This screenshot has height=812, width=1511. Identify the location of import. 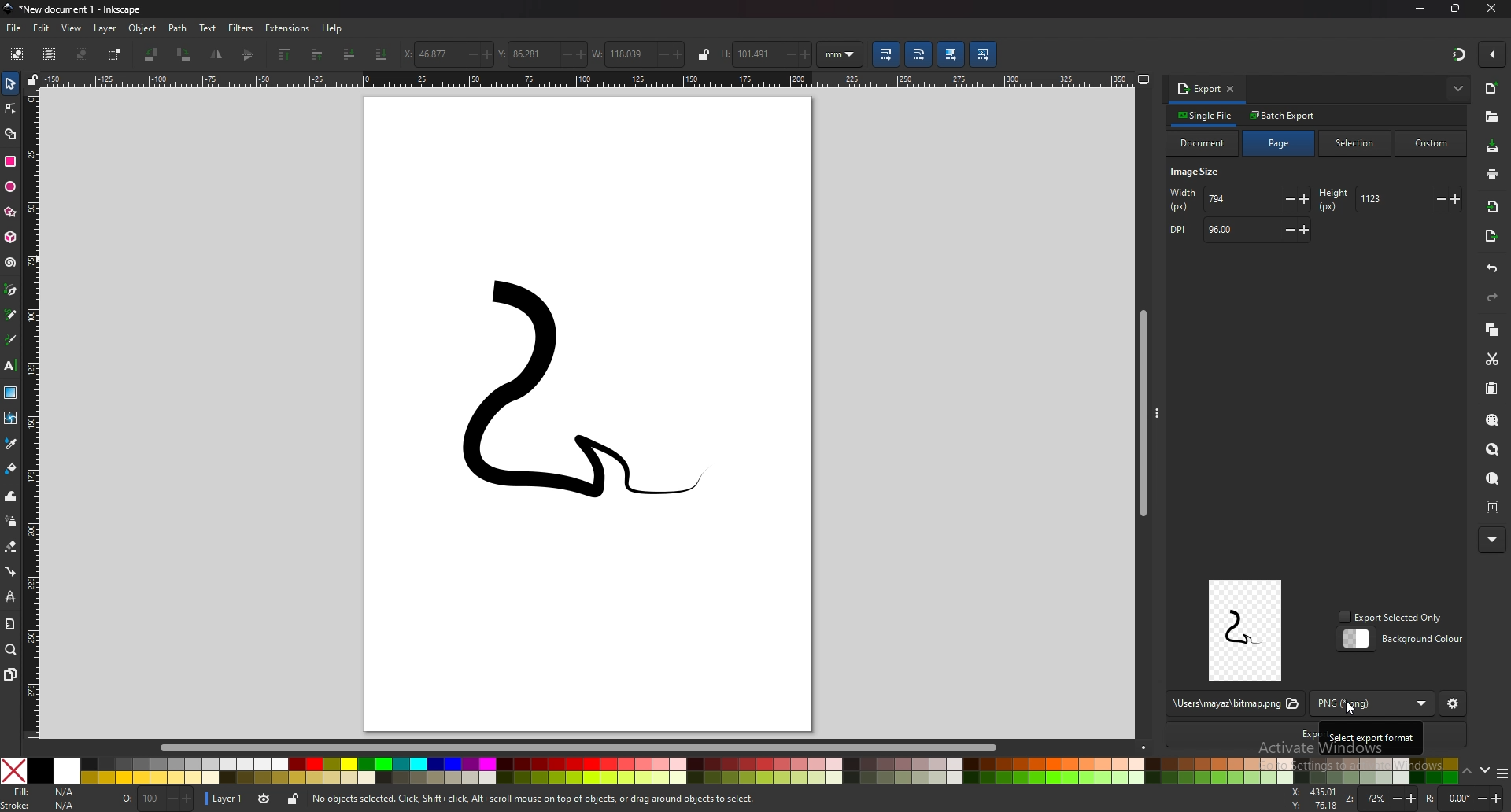
(1494, 207).